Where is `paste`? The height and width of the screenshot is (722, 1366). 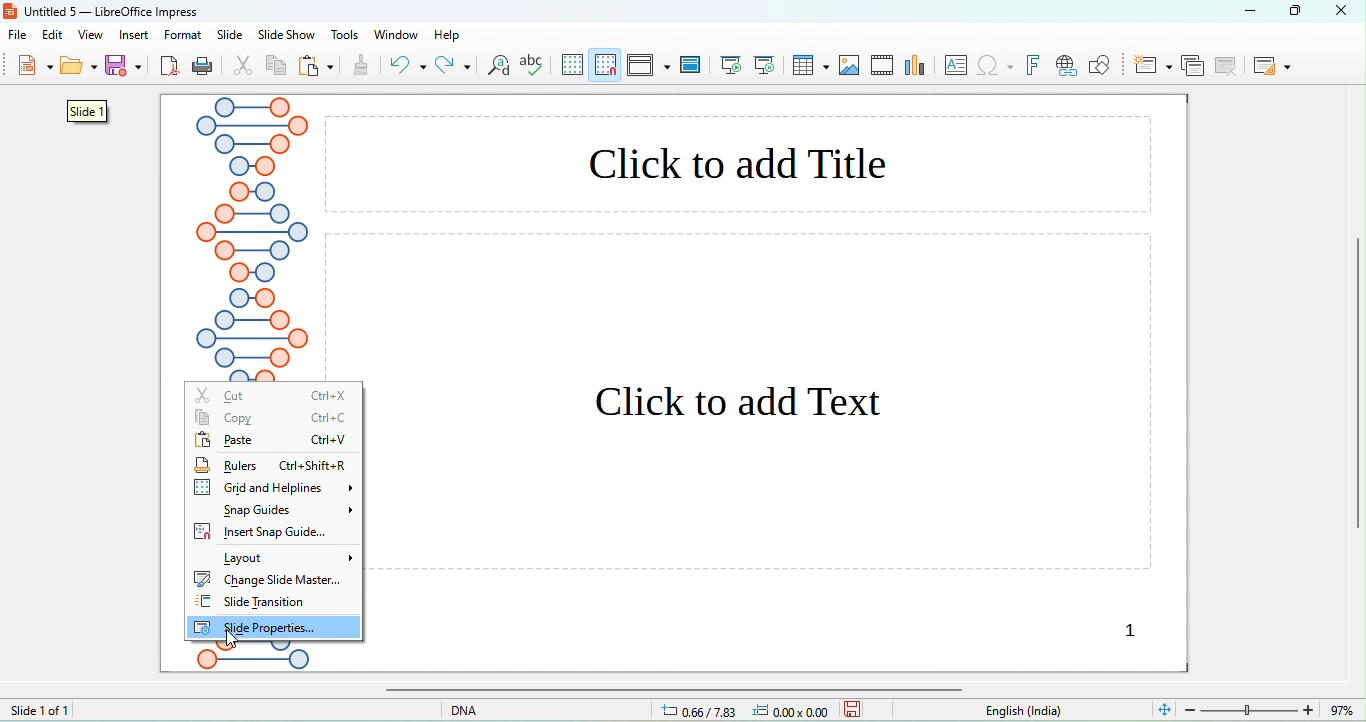 paste is located at coordinates (274, 438).